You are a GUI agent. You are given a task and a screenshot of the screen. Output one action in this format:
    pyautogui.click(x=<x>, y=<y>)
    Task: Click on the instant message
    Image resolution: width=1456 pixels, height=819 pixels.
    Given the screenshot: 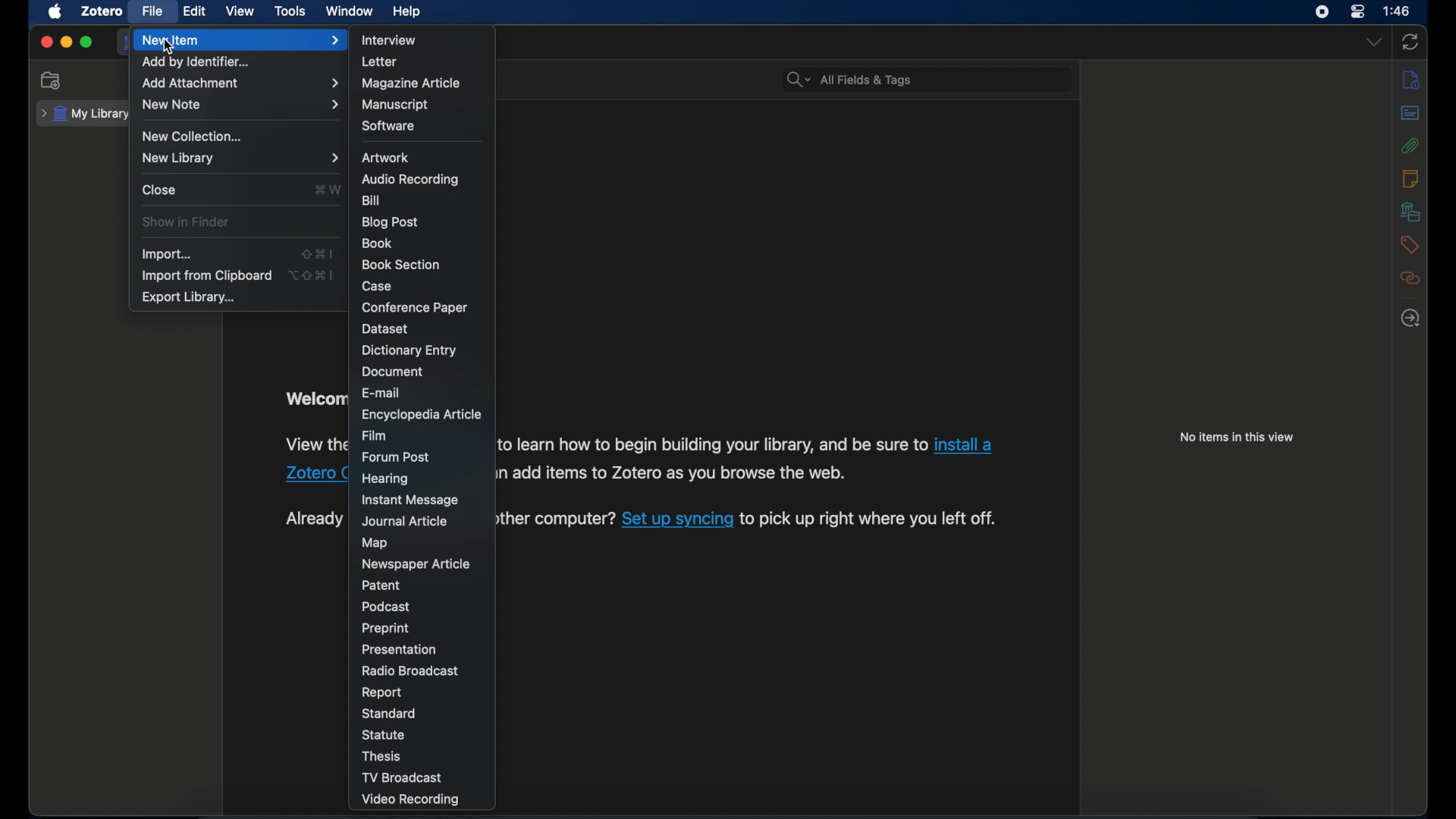 What is the action you would take?
    pyautogui.click(x=409, y=500)
    